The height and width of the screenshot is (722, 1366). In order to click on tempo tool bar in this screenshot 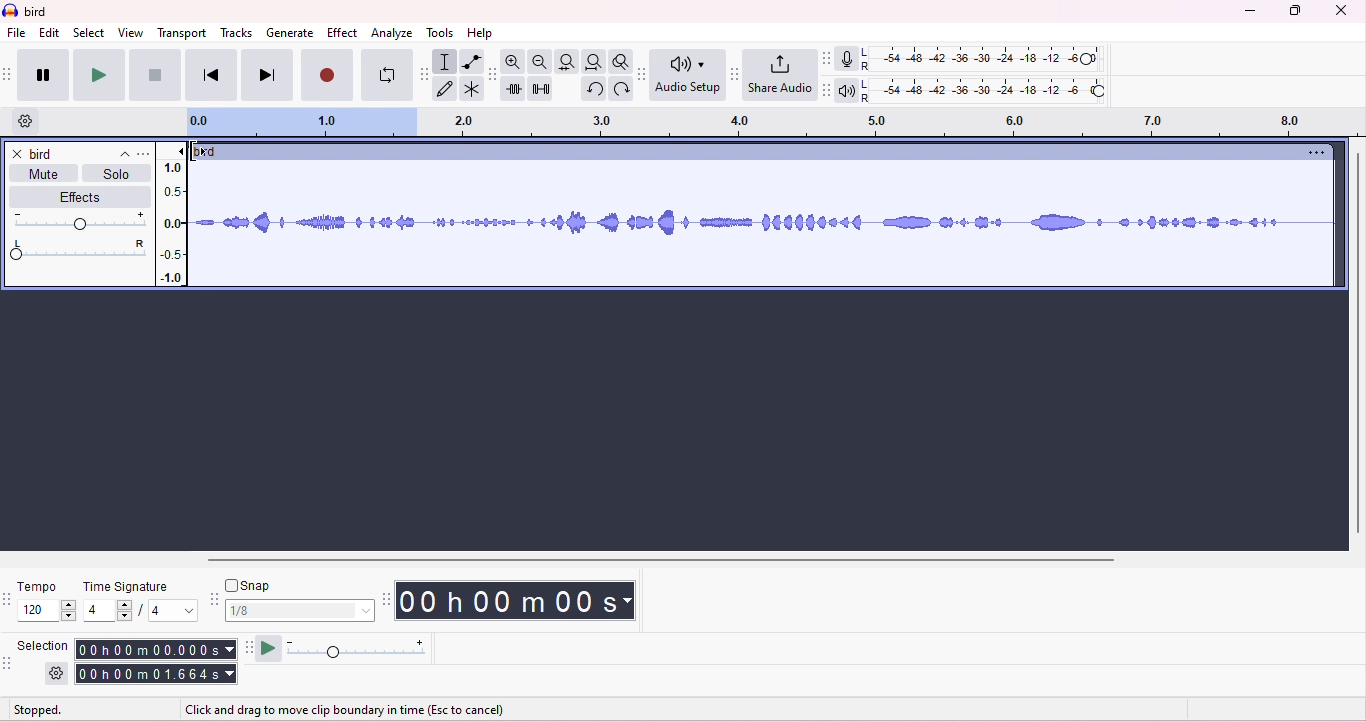, I will do `click(9, 599)`.